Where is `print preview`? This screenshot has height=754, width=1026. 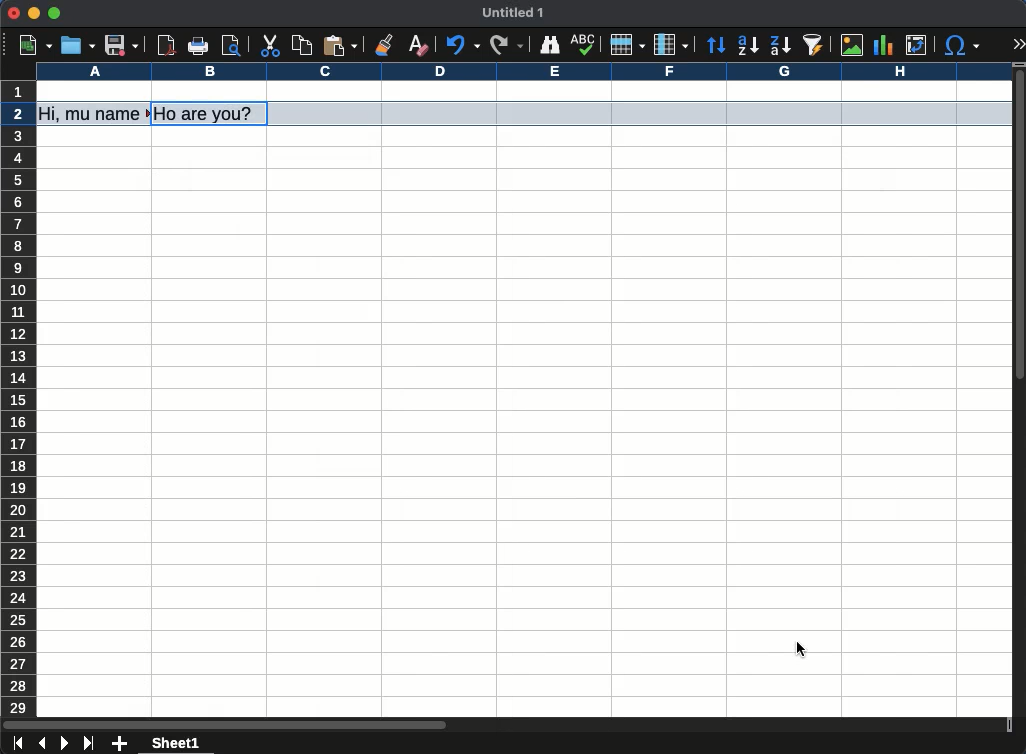
print preview is located at coordinates (233, 45).